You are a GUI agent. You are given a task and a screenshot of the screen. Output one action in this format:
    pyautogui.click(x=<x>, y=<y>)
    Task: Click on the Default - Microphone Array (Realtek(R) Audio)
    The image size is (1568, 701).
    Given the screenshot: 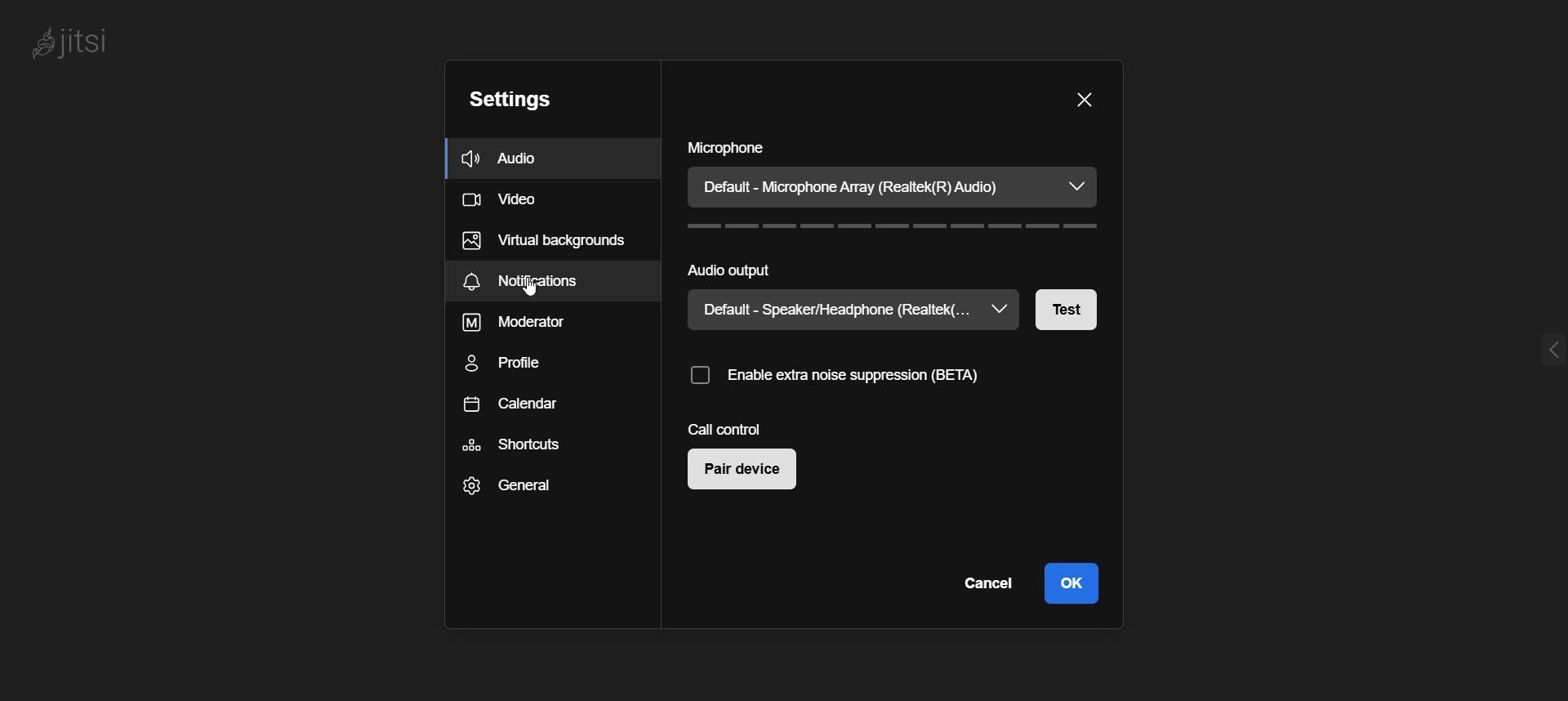 What is the action you would take?
    pyautogui.click(x=853, y=185)
    